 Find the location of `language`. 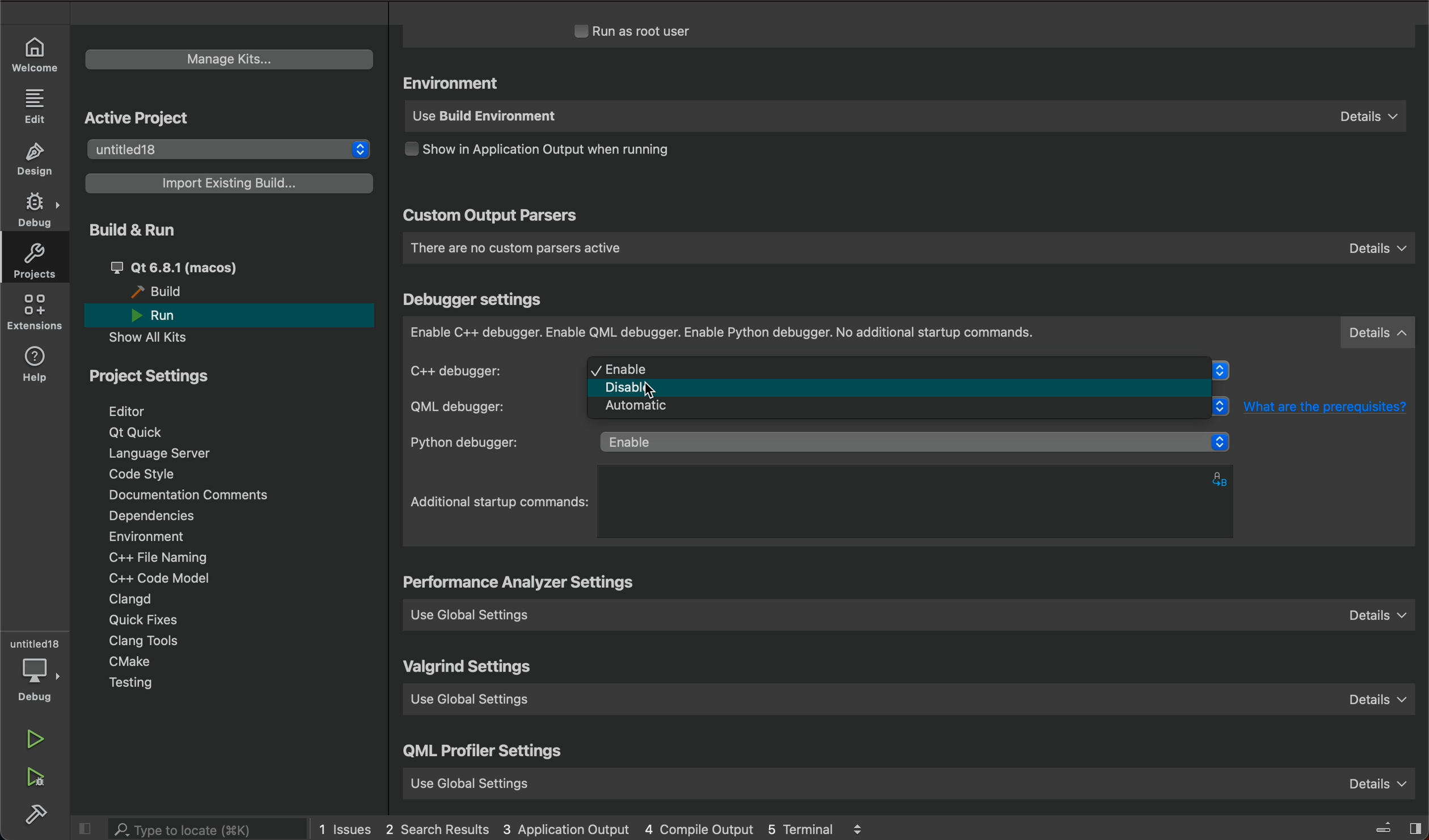

language is located at coordinates (169, 453).